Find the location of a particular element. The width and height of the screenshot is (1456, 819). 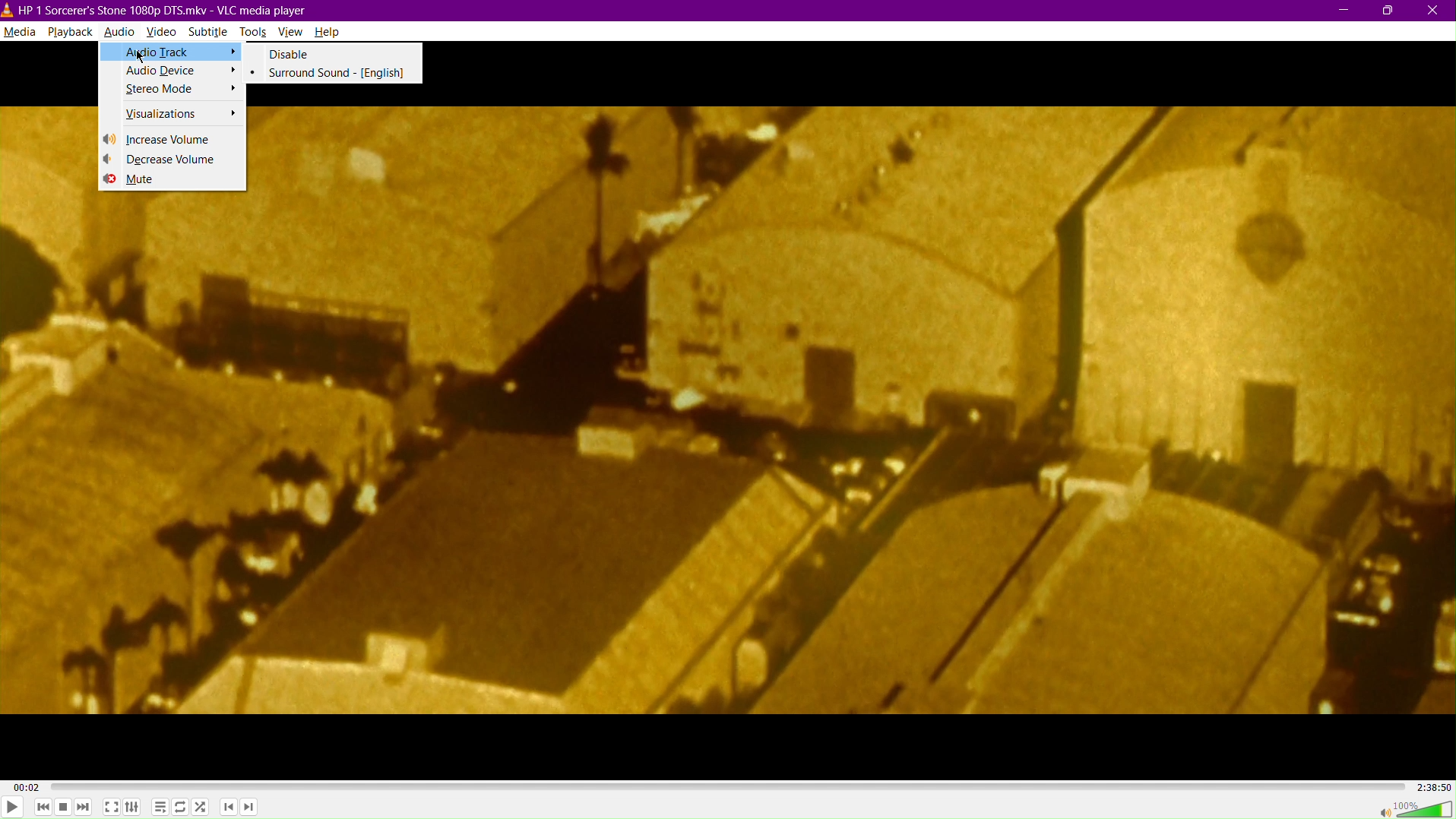

00:02 is located at coordinates (27, 788).